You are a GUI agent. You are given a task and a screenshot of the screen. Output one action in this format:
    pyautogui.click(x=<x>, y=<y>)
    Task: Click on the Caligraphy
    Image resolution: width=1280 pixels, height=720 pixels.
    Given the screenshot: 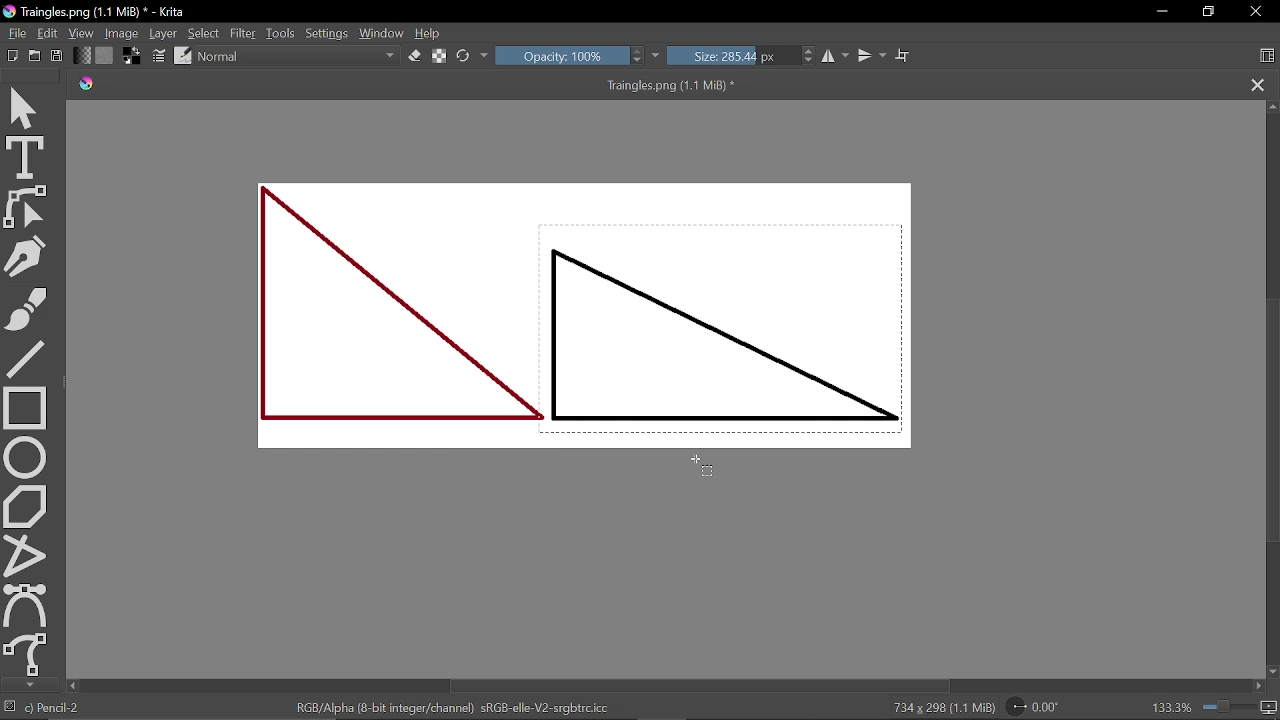 What is the action you would take?
    pyautogui.click(x=26, y=254)
    